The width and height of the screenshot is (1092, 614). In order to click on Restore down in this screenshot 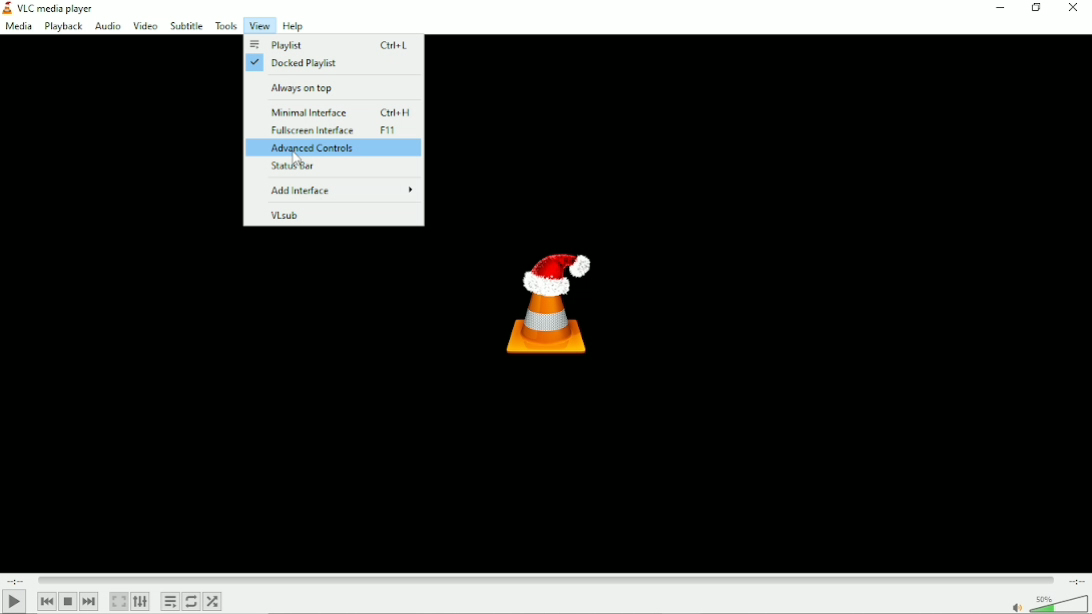, I will do `click(1038, 9)`.